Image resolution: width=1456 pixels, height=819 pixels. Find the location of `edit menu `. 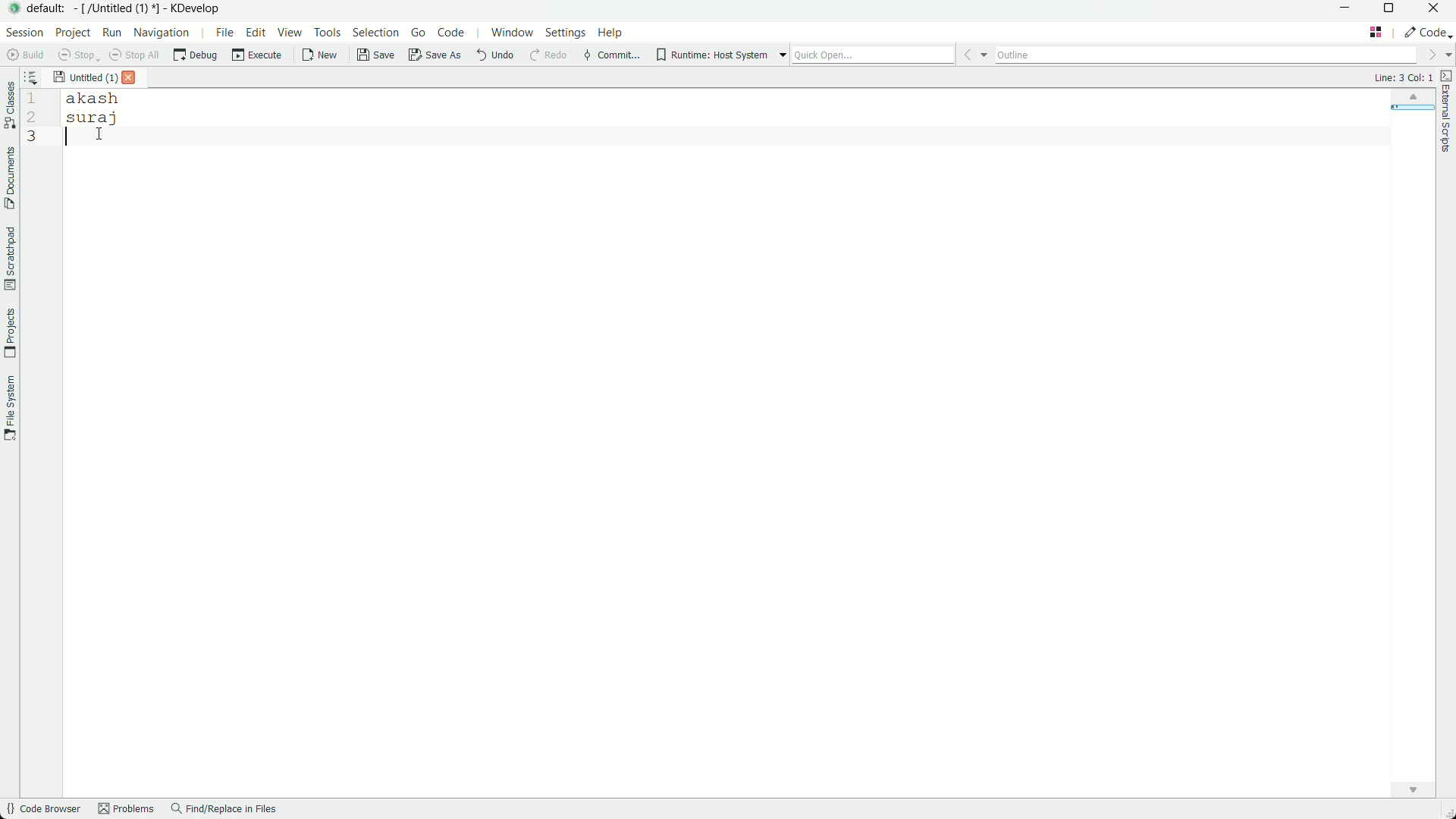

edit menu  is located at coordinates (256, 34).